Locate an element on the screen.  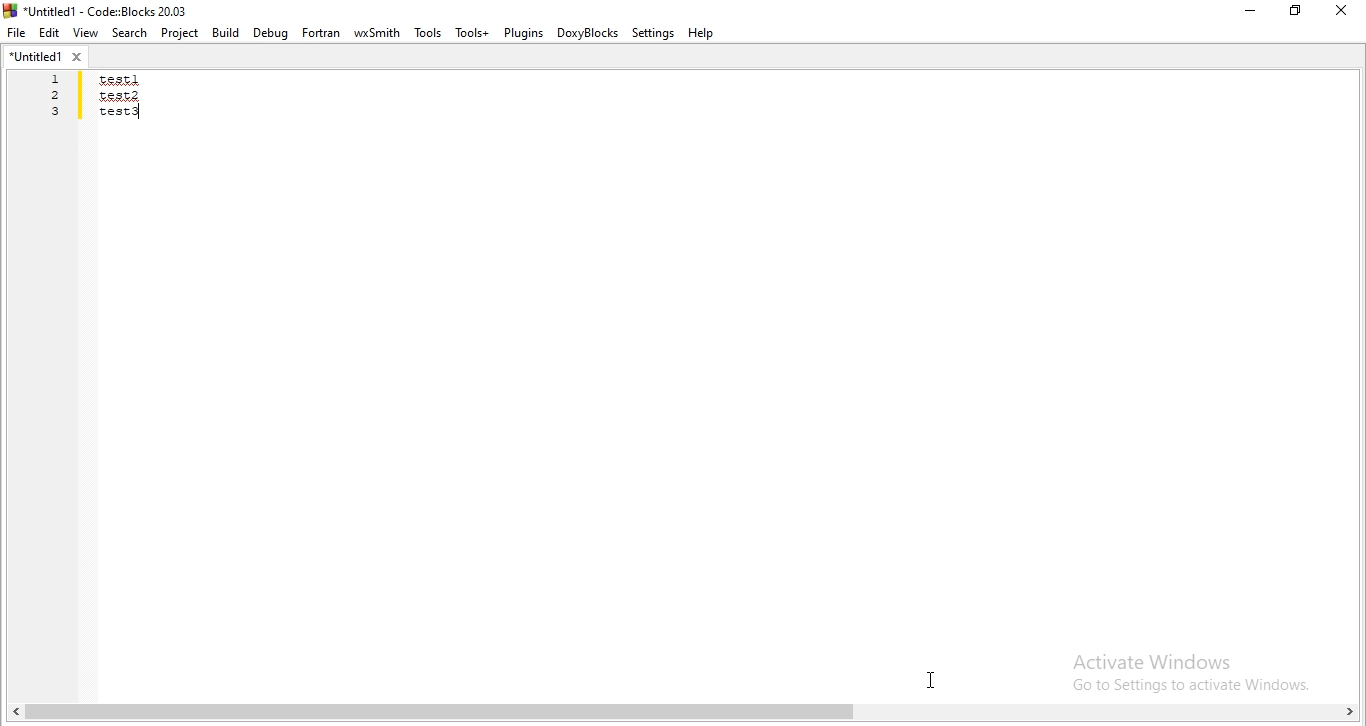
doxyblocks is located at coordinates (588, 34).